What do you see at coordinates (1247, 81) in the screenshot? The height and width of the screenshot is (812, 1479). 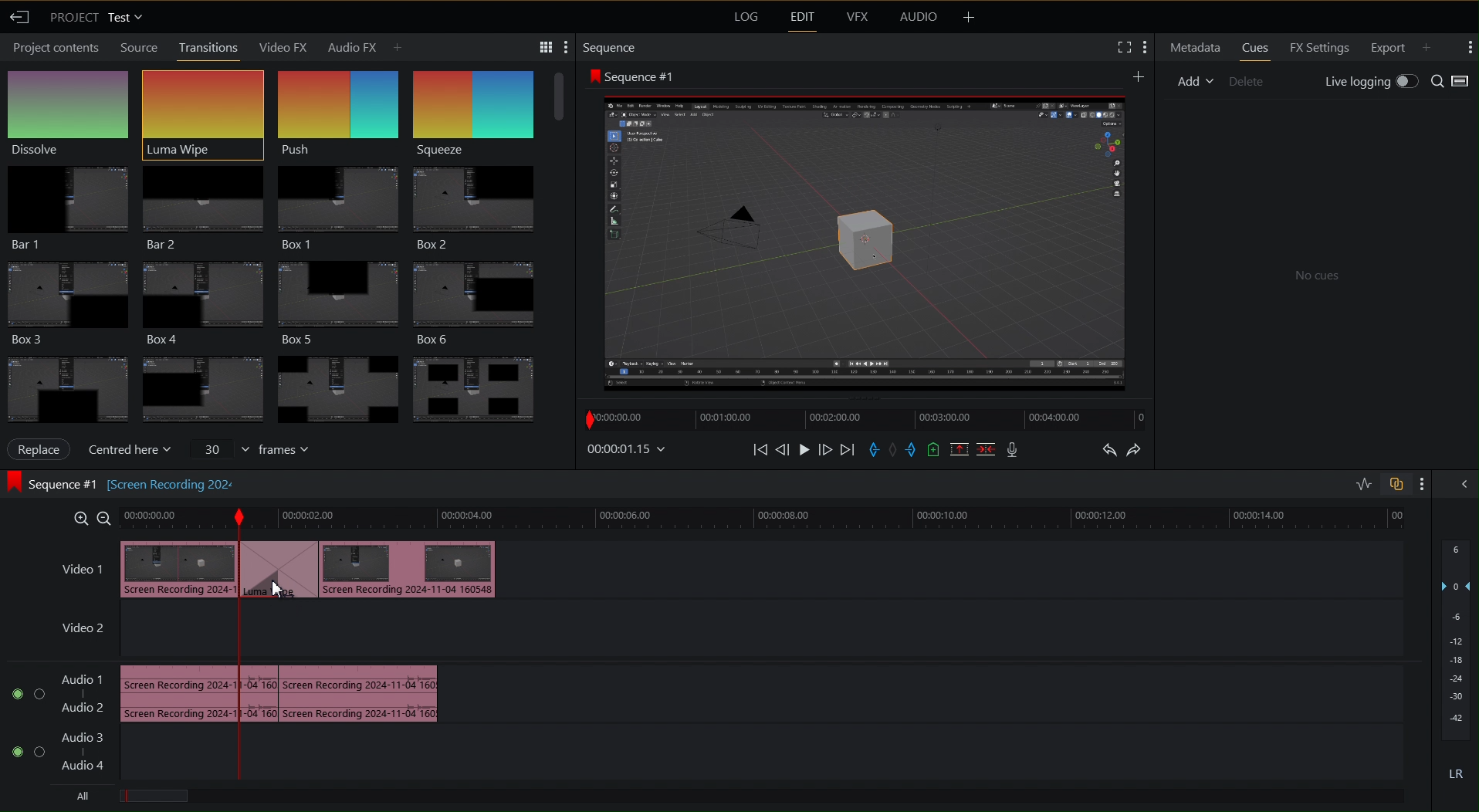 I see `Delete` at bounding box center [1247, 81].